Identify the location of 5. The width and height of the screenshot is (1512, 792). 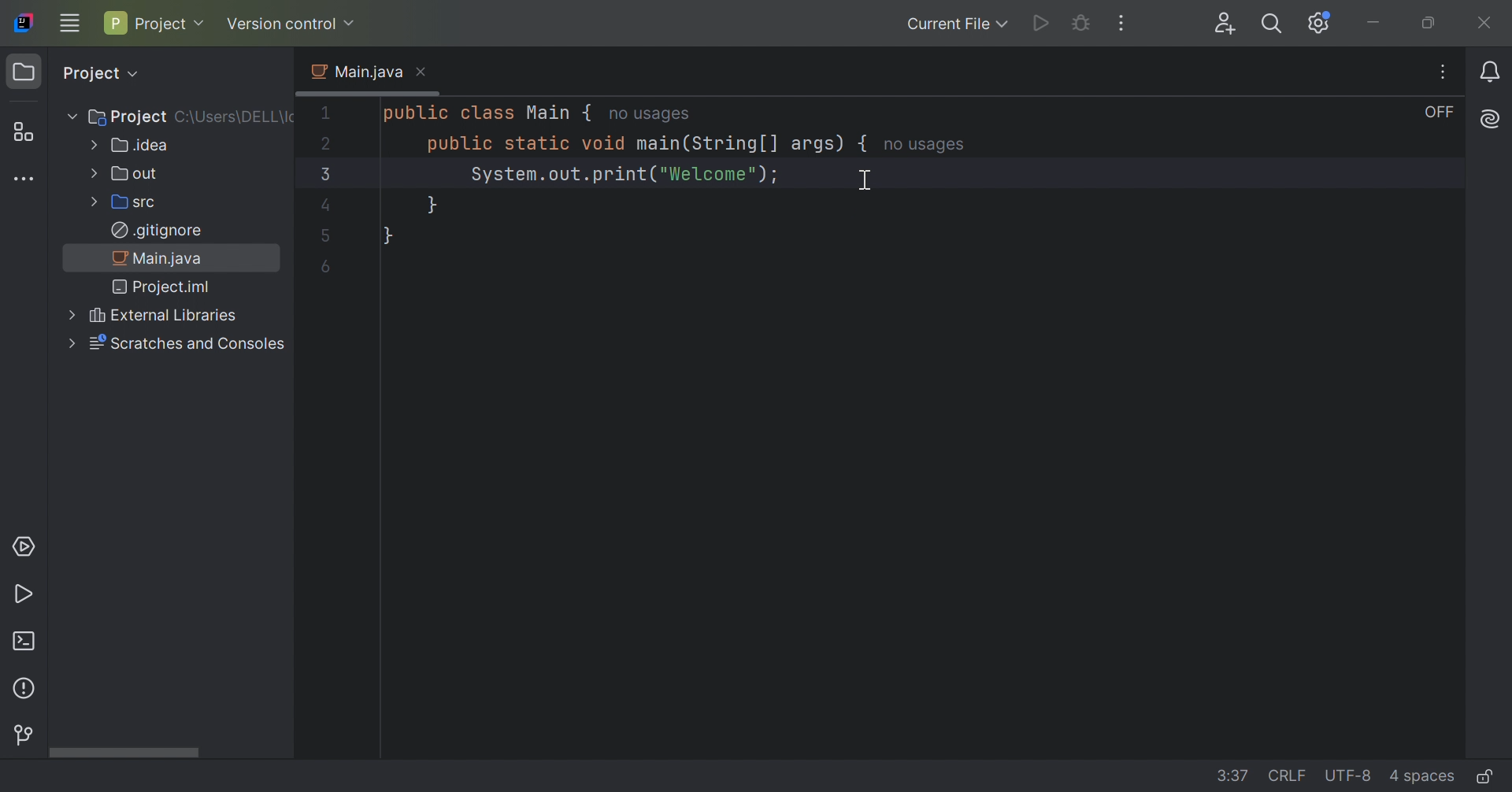
(325, 238).